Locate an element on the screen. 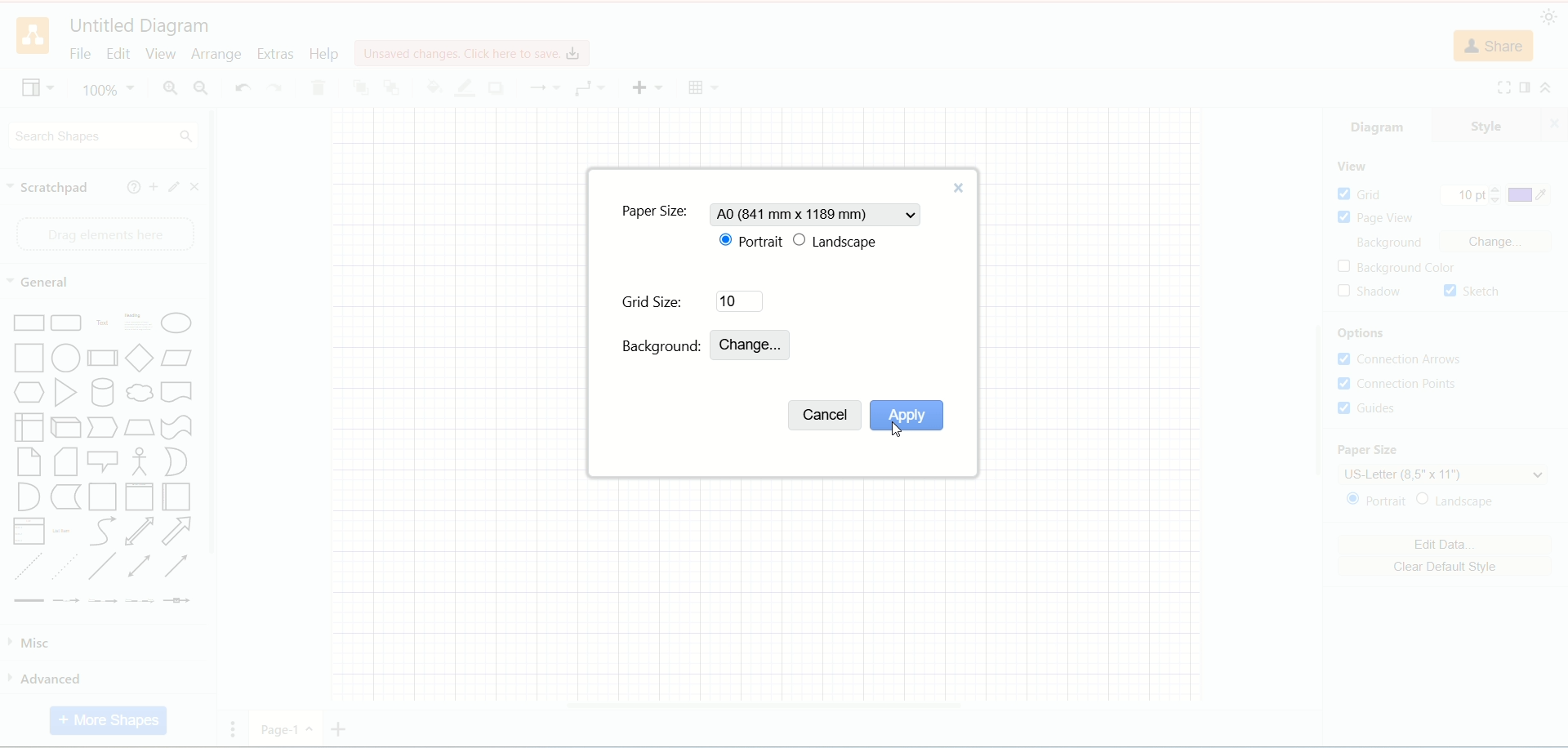 The height and width of the screenshot is (748, 1568). Process is located at coordinates (104, 361).